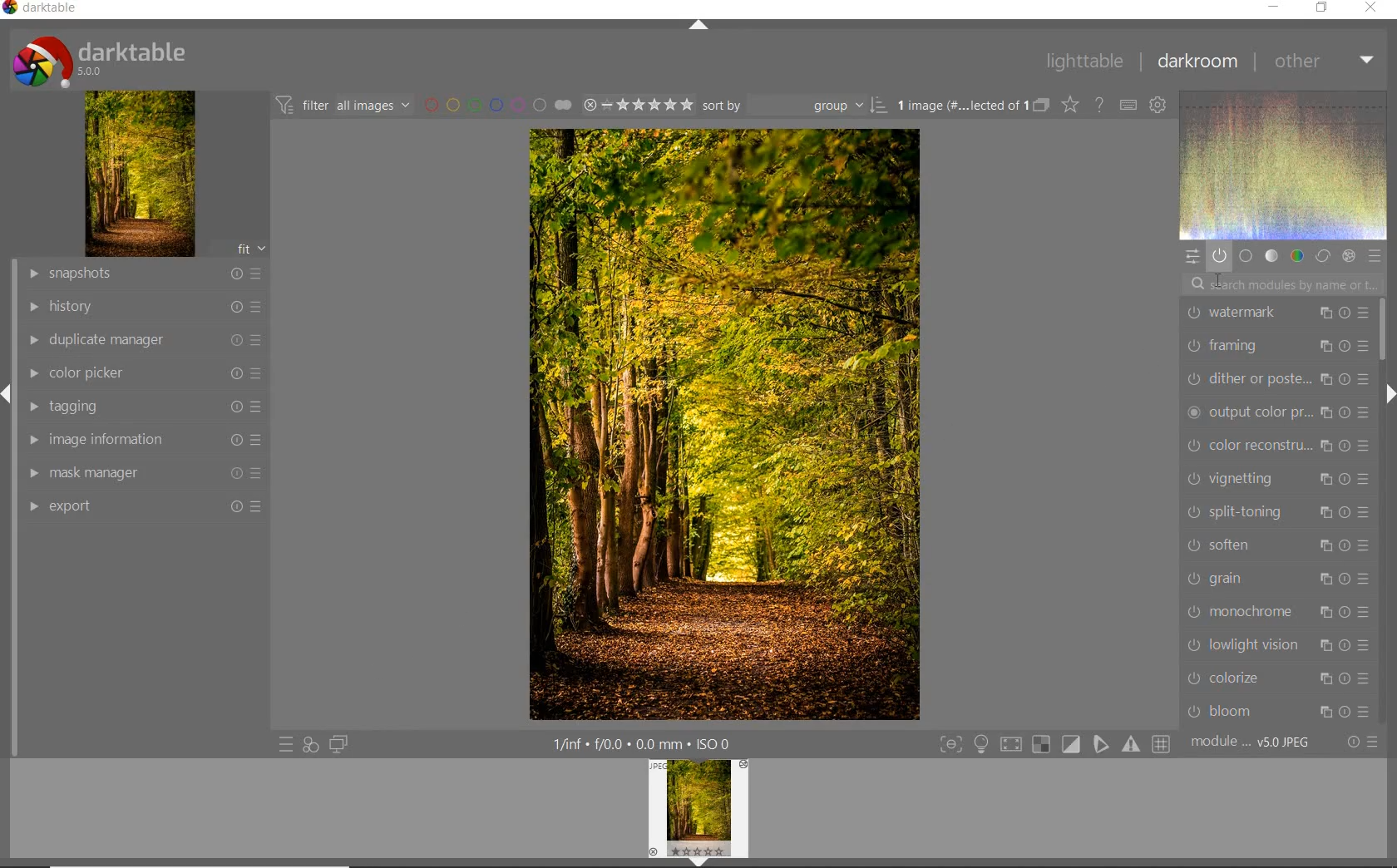 The height and width of the screenshot is (868, 1397). I want to click on sort, so click(794, 106).